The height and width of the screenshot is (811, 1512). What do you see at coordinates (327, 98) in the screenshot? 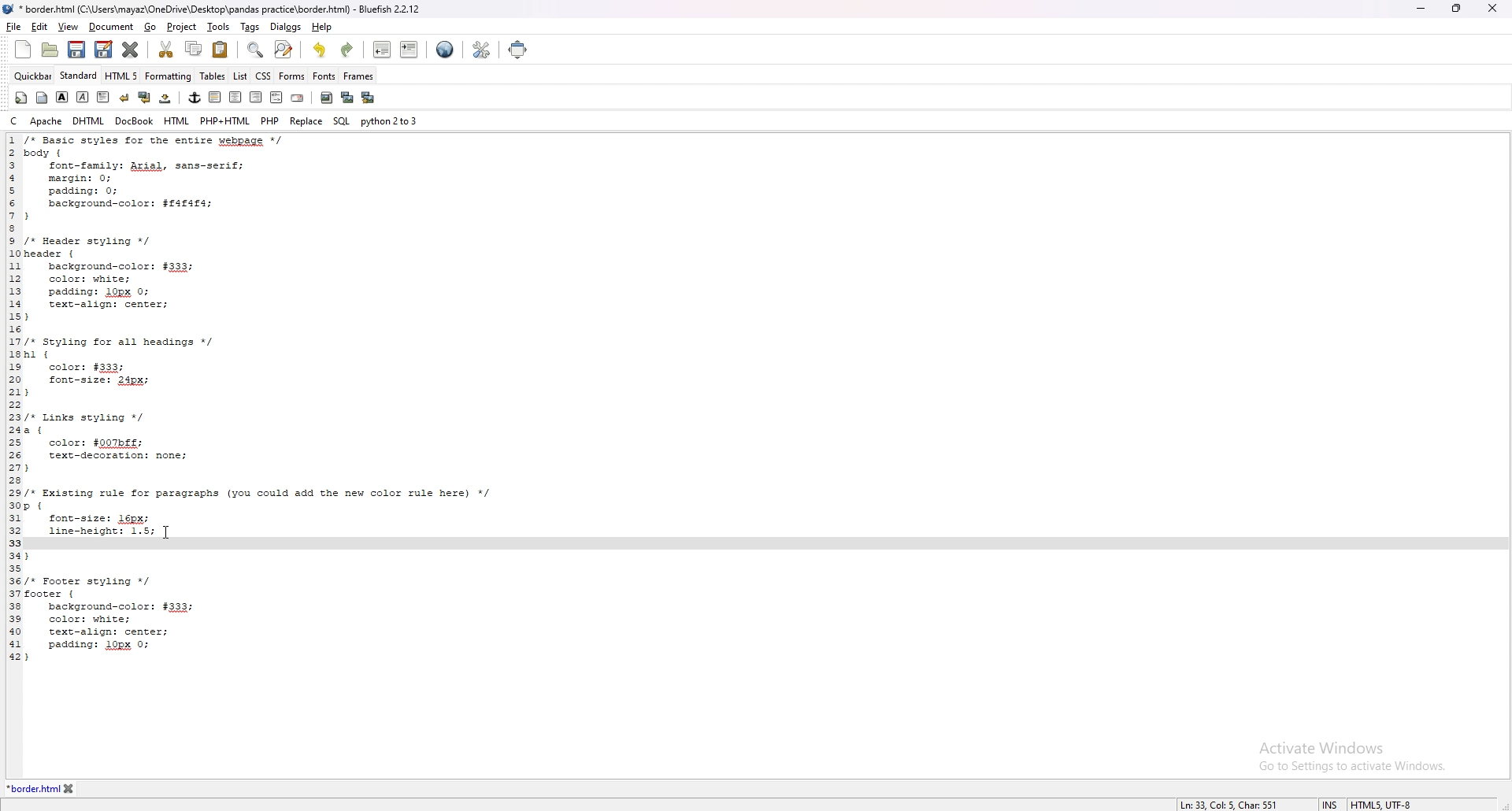
I see `insert image` at bounding box center [327, 98].